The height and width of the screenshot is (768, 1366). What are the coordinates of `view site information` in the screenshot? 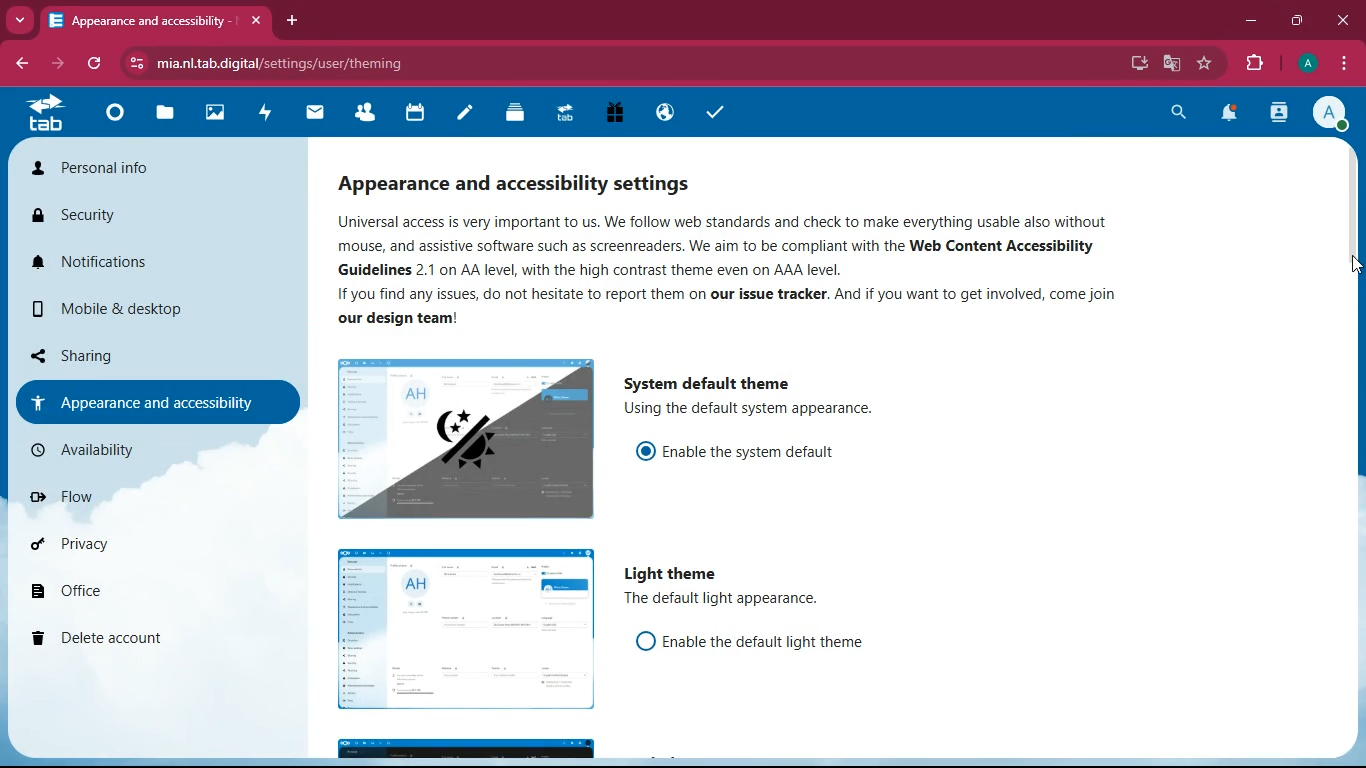 It's located at (133, 64).